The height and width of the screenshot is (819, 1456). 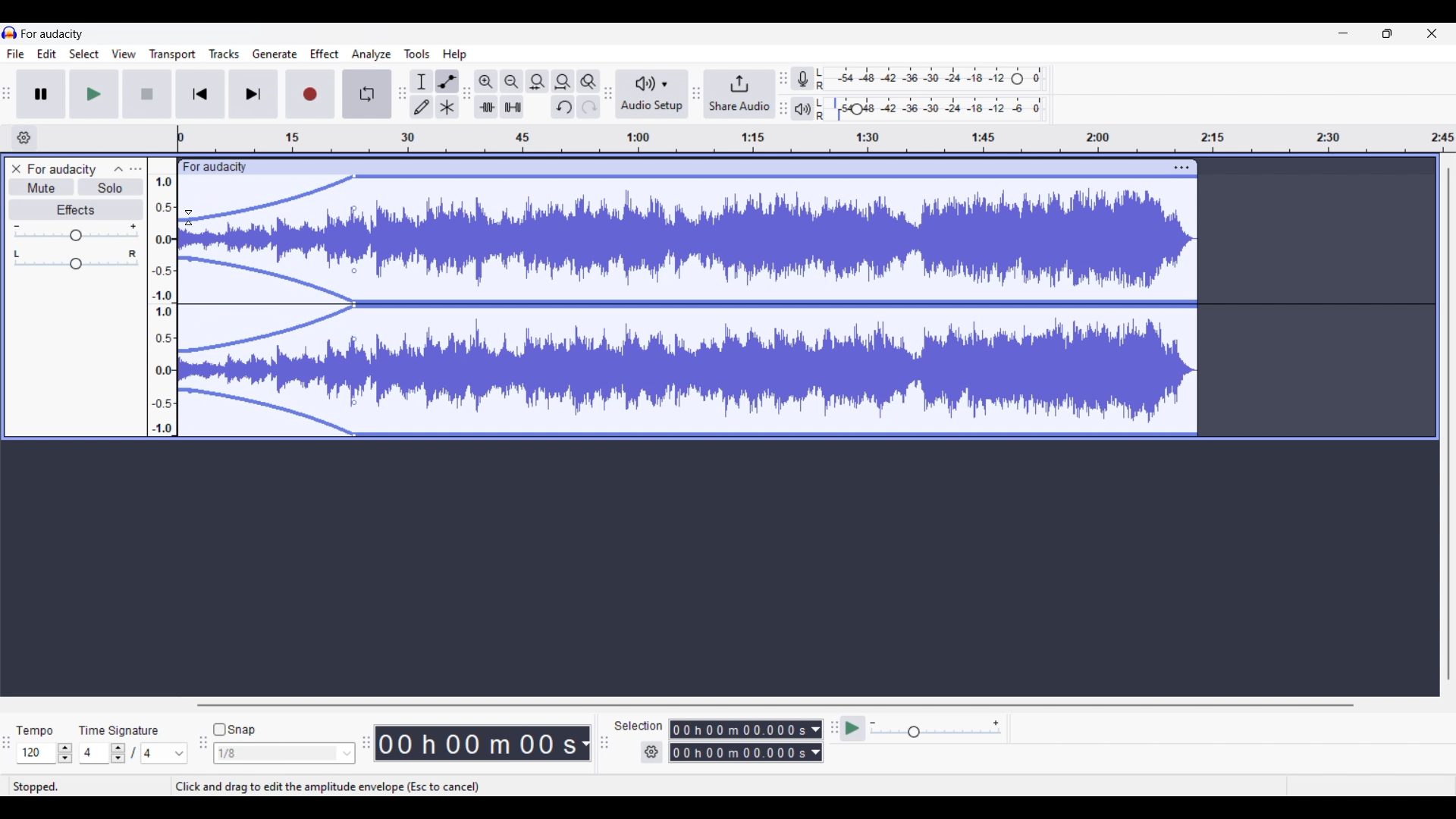 I want to click on Horizontal slide bar, so click(x=774, y=705).